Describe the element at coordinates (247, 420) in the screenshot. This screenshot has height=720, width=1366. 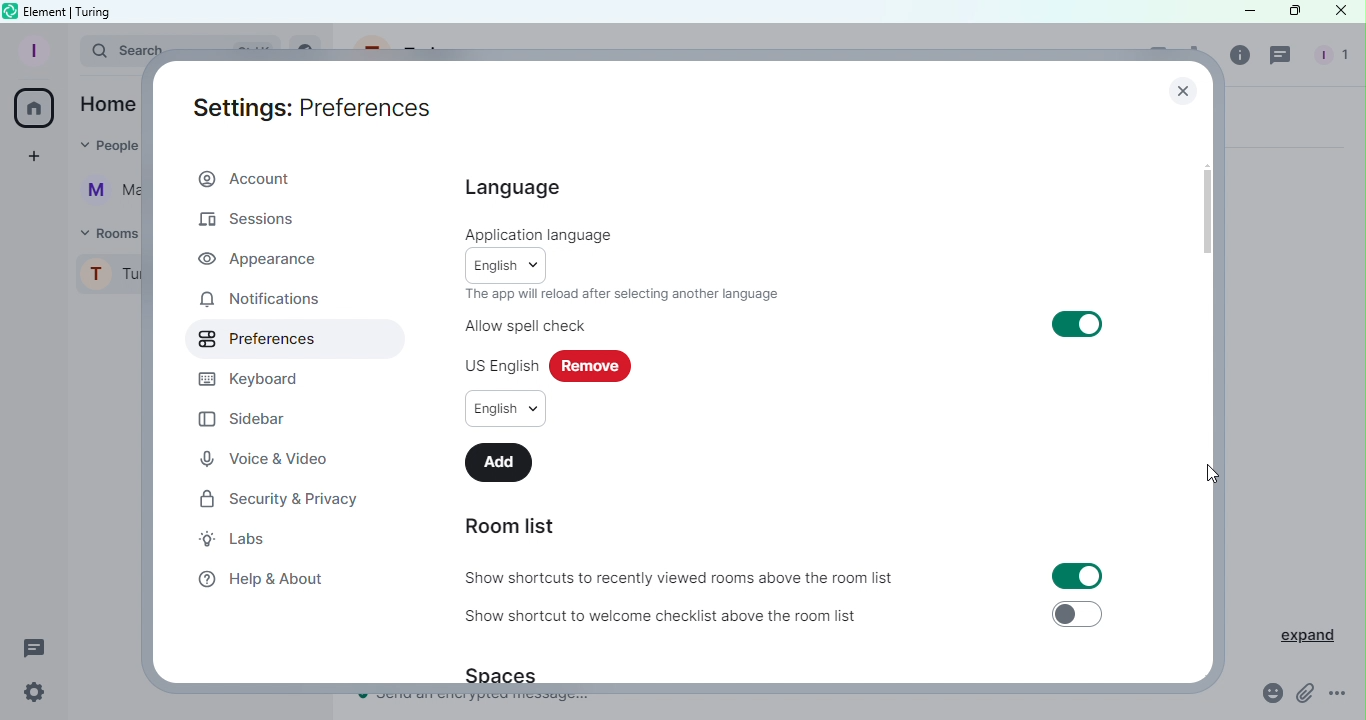
I see `Sidebar` at that location.